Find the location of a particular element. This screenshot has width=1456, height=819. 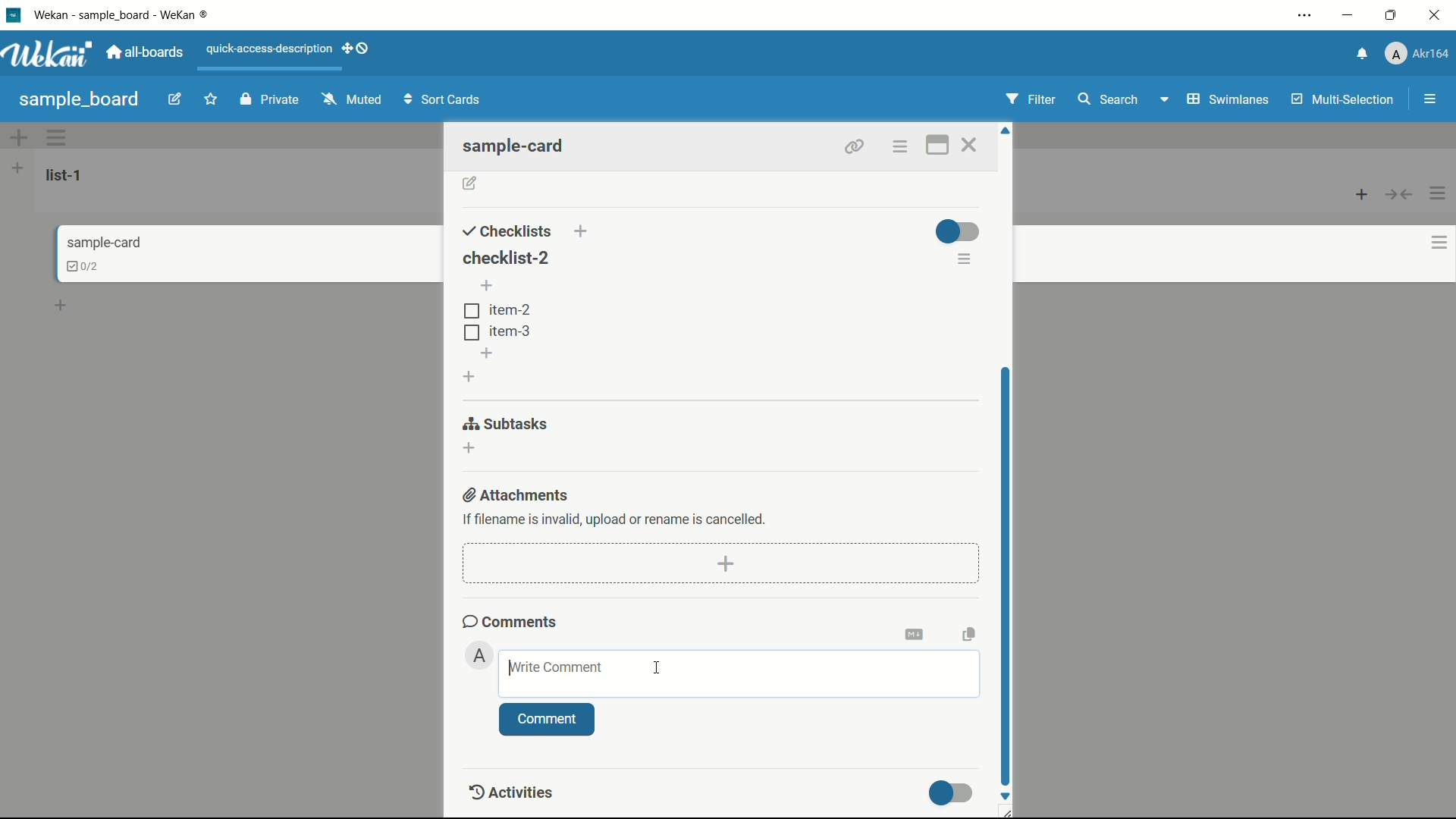

comment is located at coordinates (547, 720).